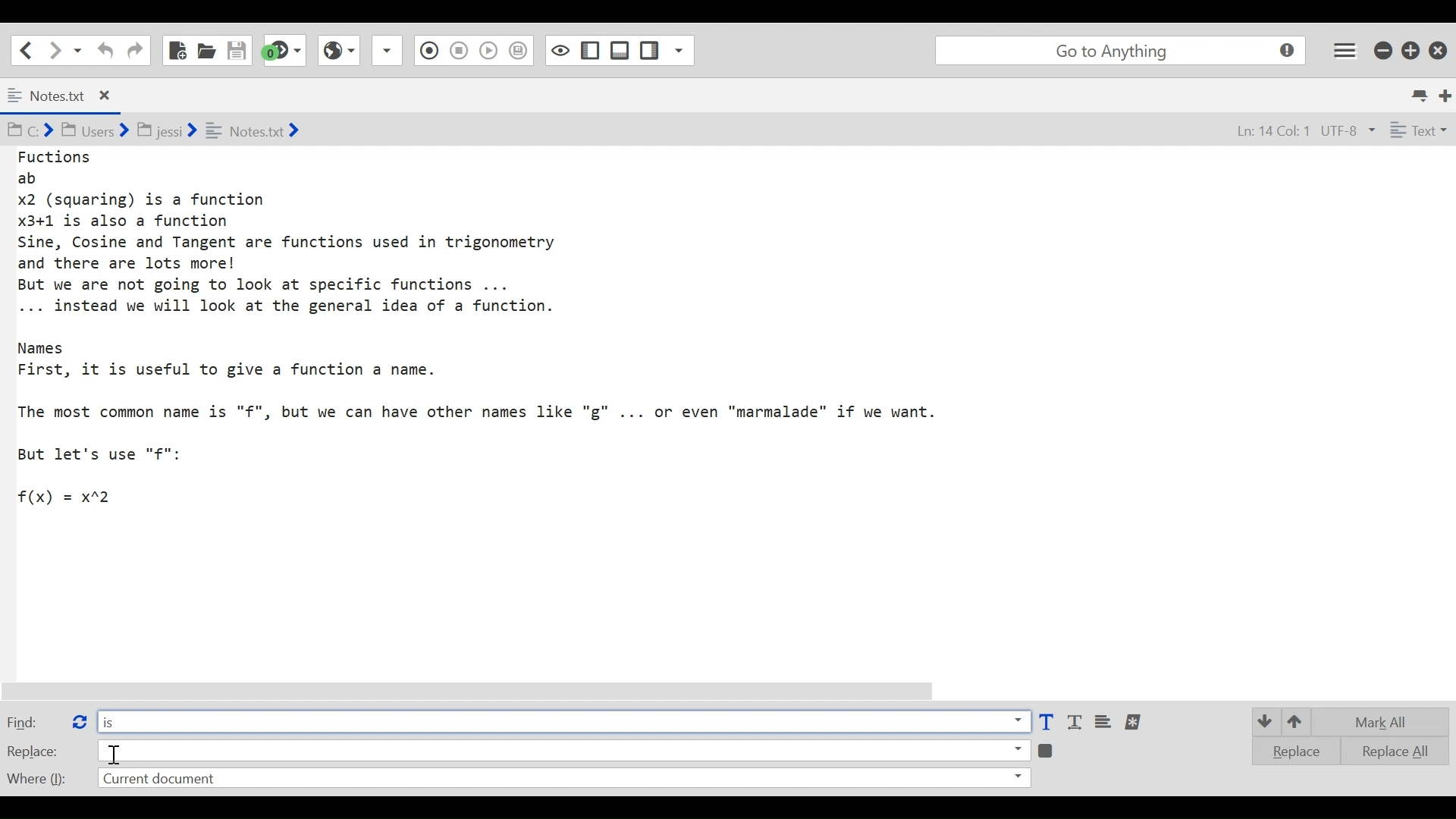 The width and height of the screenshot is (1456, 819). I want to click on New File, so click(176, 50).